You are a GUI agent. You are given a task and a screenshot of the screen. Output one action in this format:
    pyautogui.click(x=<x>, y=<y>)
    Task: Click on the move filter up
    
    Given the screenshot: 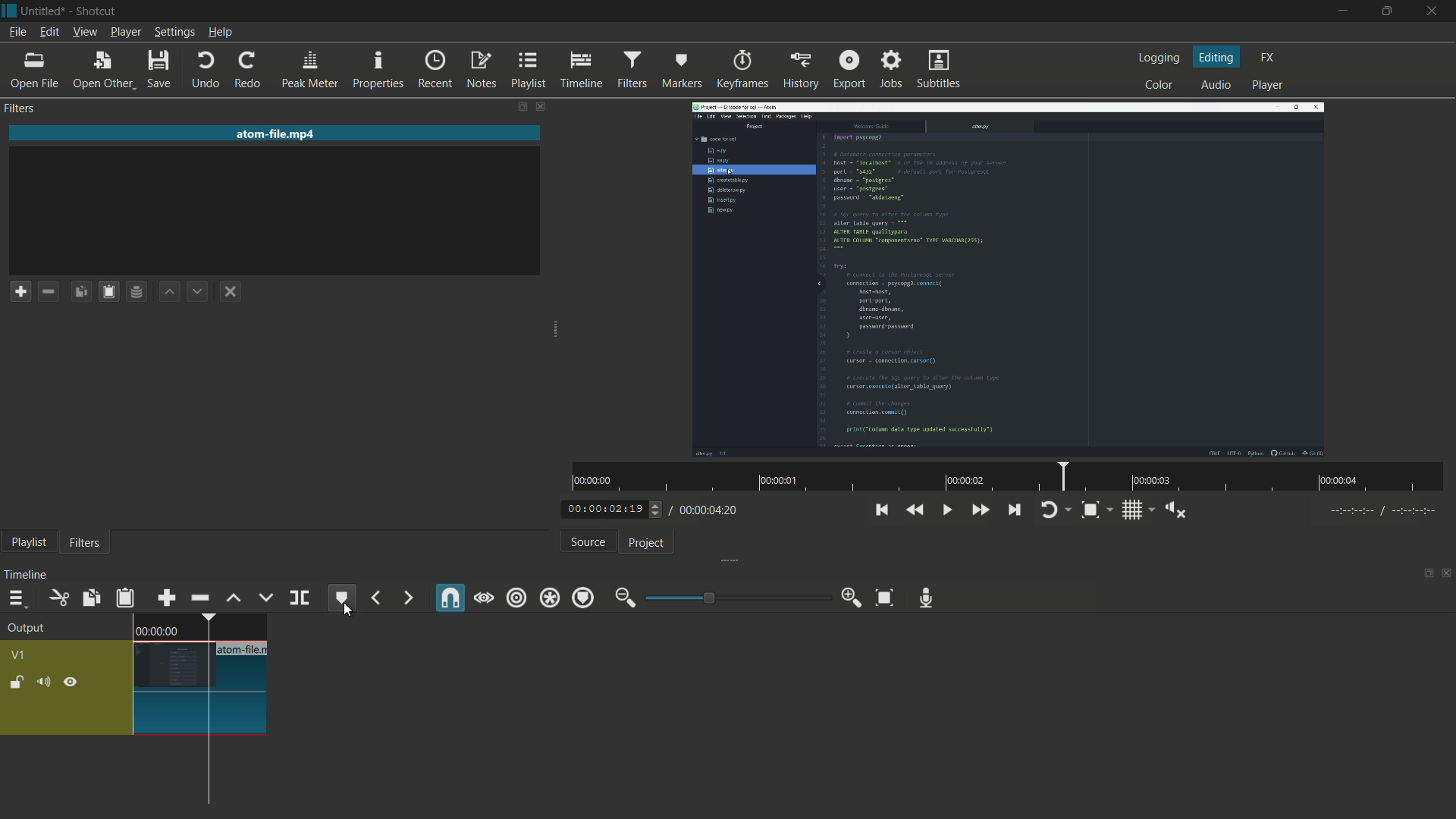 What is the action you would take?
    pyautogui.click(x=168, y=292)
    